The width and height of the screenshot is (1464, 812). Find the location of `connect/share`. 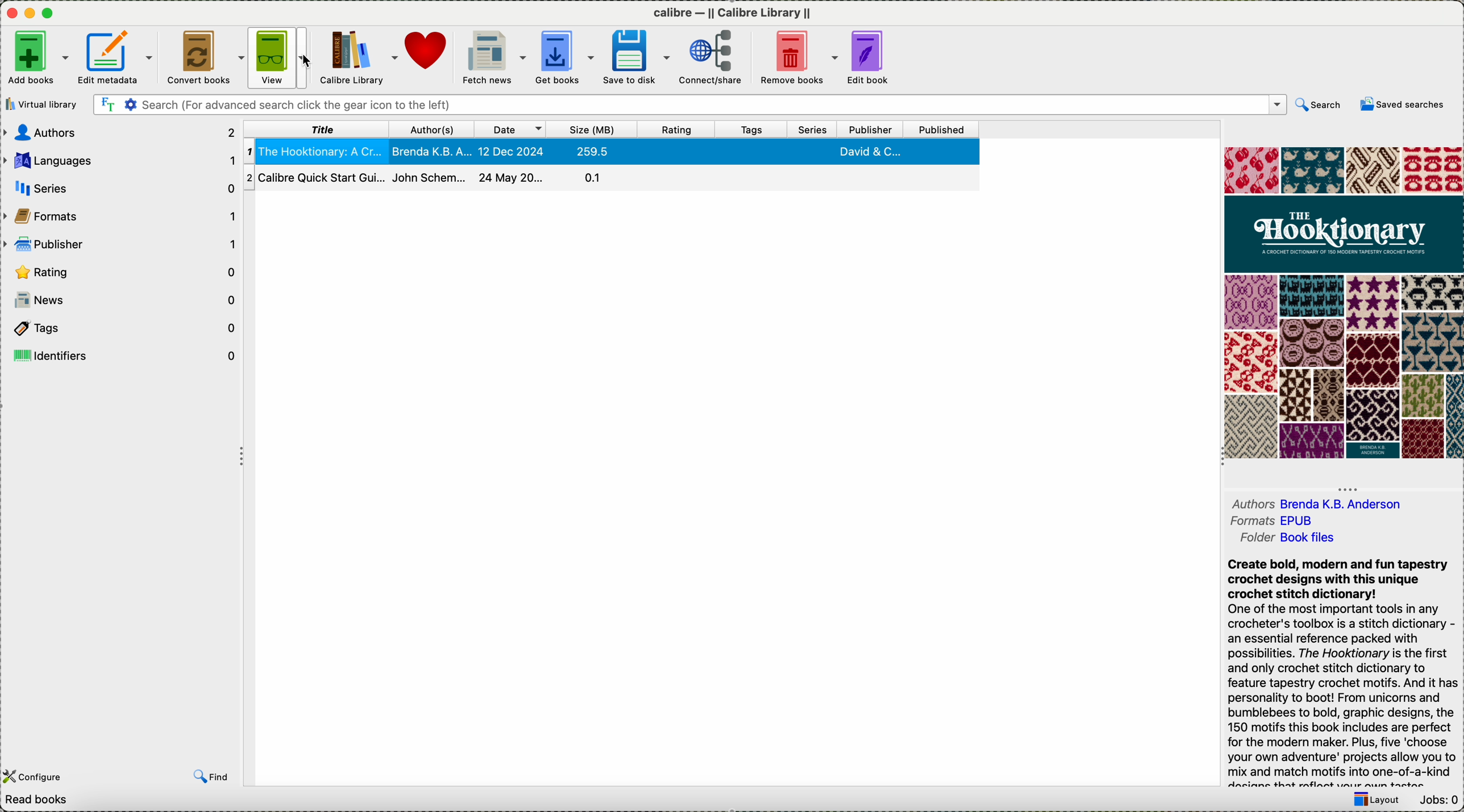

connect/share is located at coordinates (711, 56).